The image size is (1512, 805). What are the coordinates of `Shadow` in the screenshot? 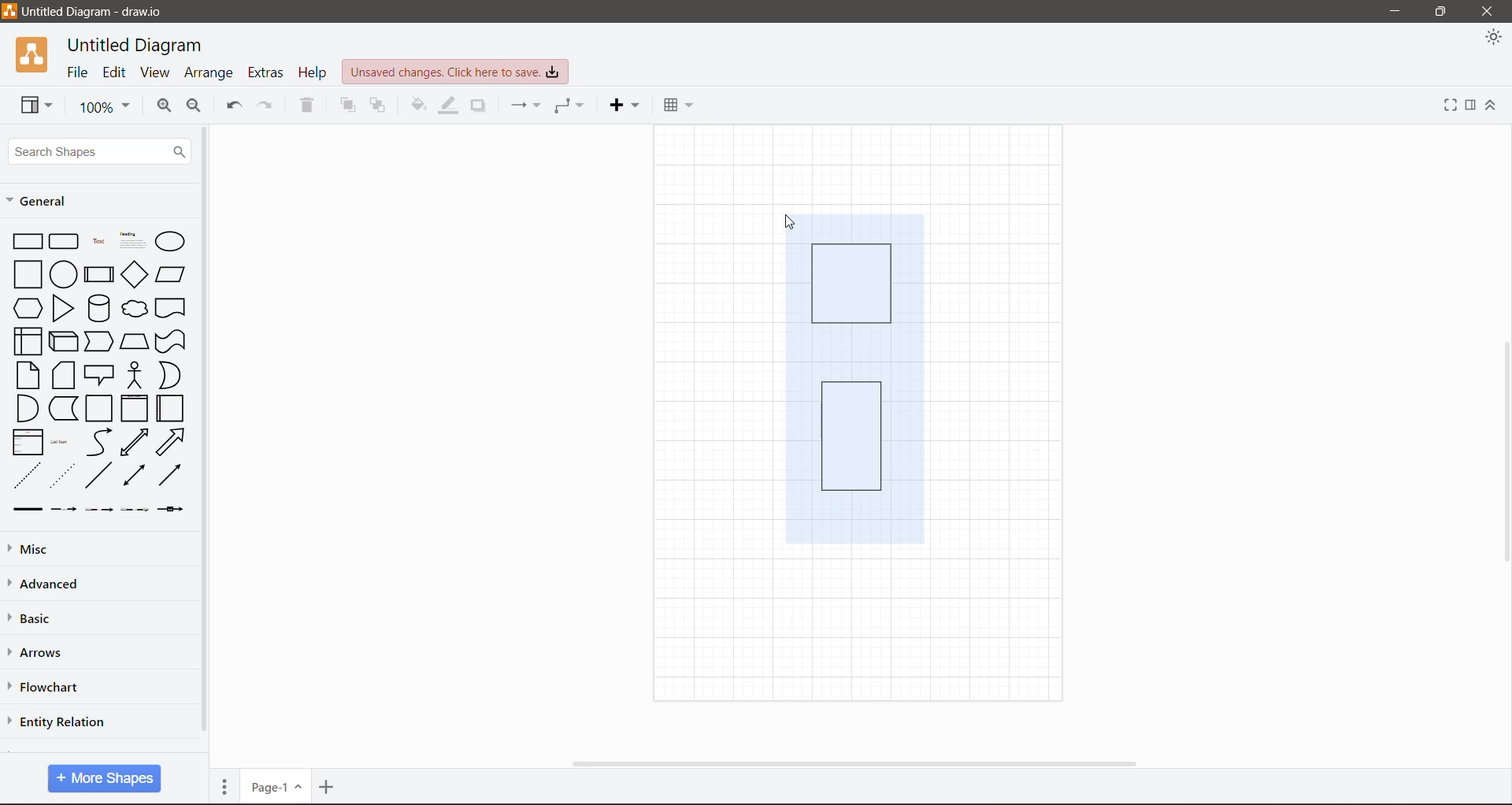 It's located at (477, 108).